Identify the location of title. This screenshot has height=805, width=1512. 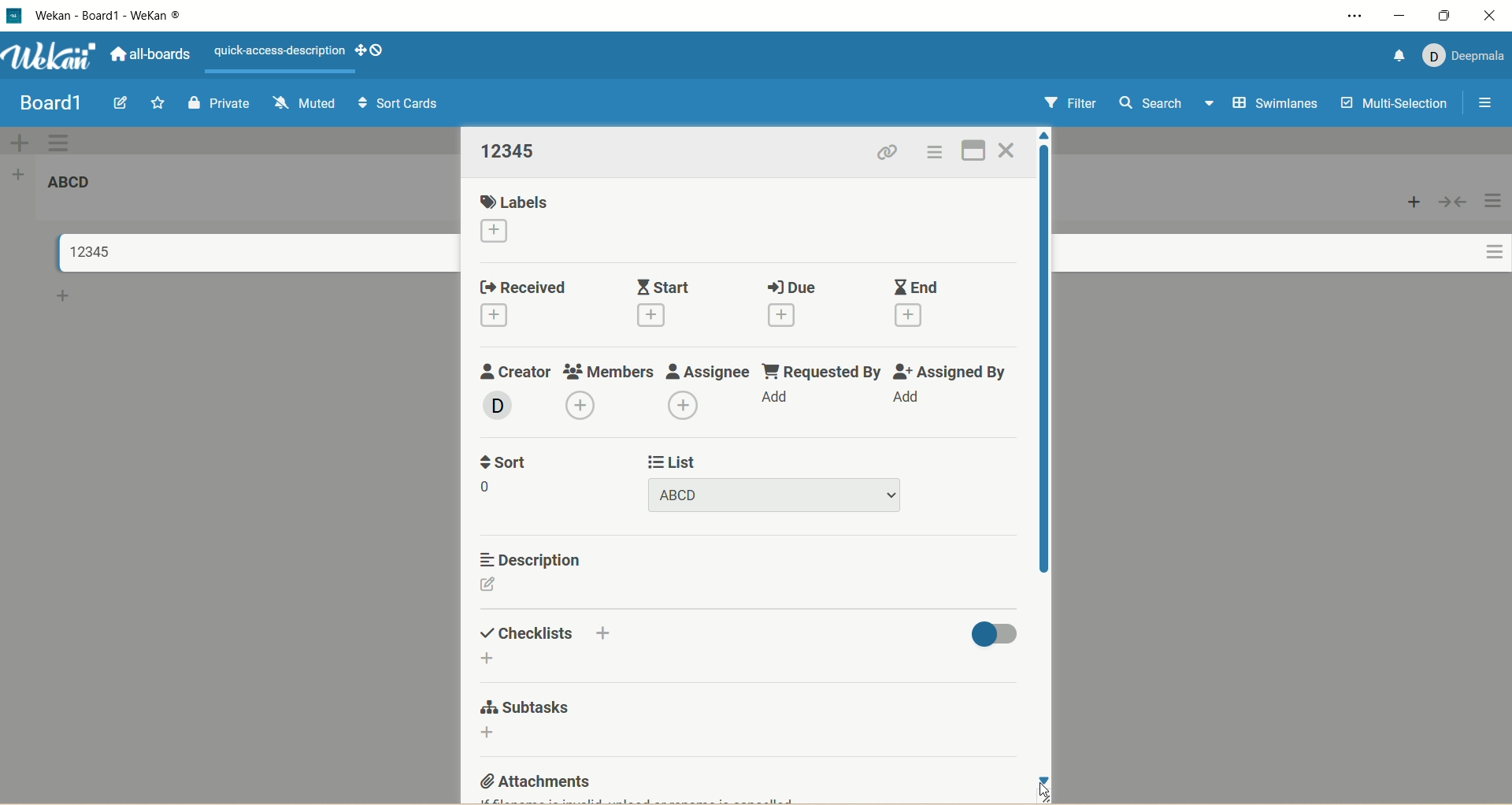
(83, 252).